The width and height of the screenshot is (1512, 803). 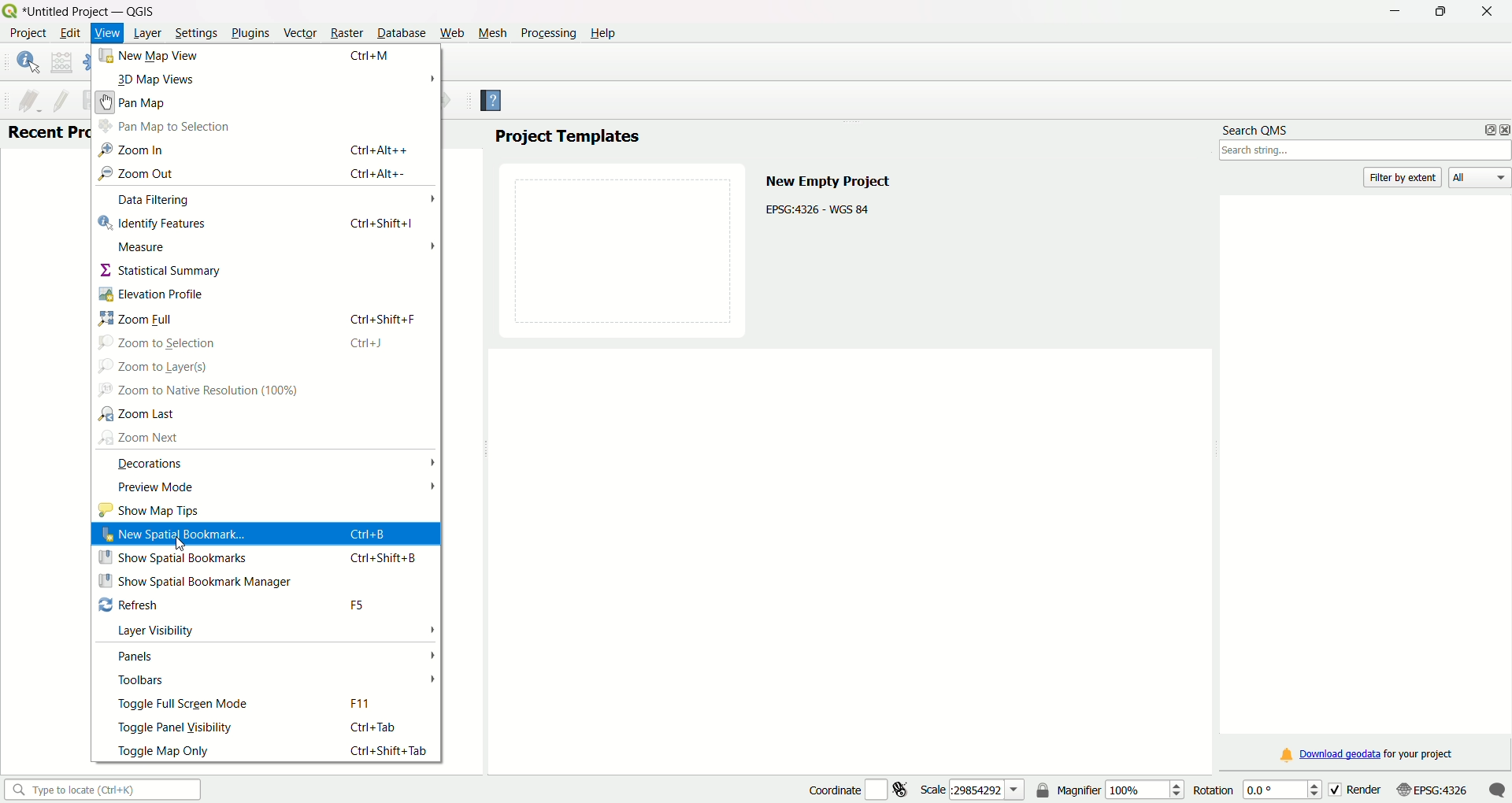 I want to click on Layer, so click(x=146, y=34).